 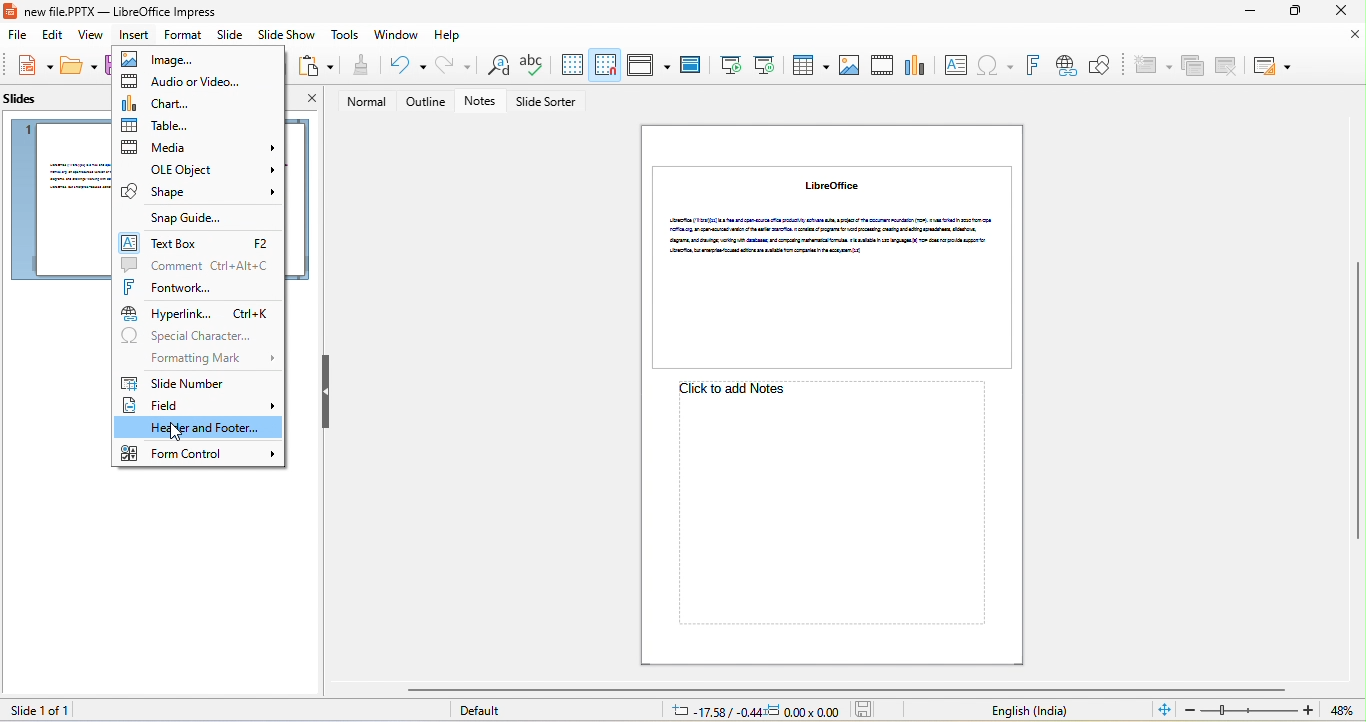 What do you see at coordinates (449, 36) in the screenshot?
I see `help` at bounding box center [449, 36].